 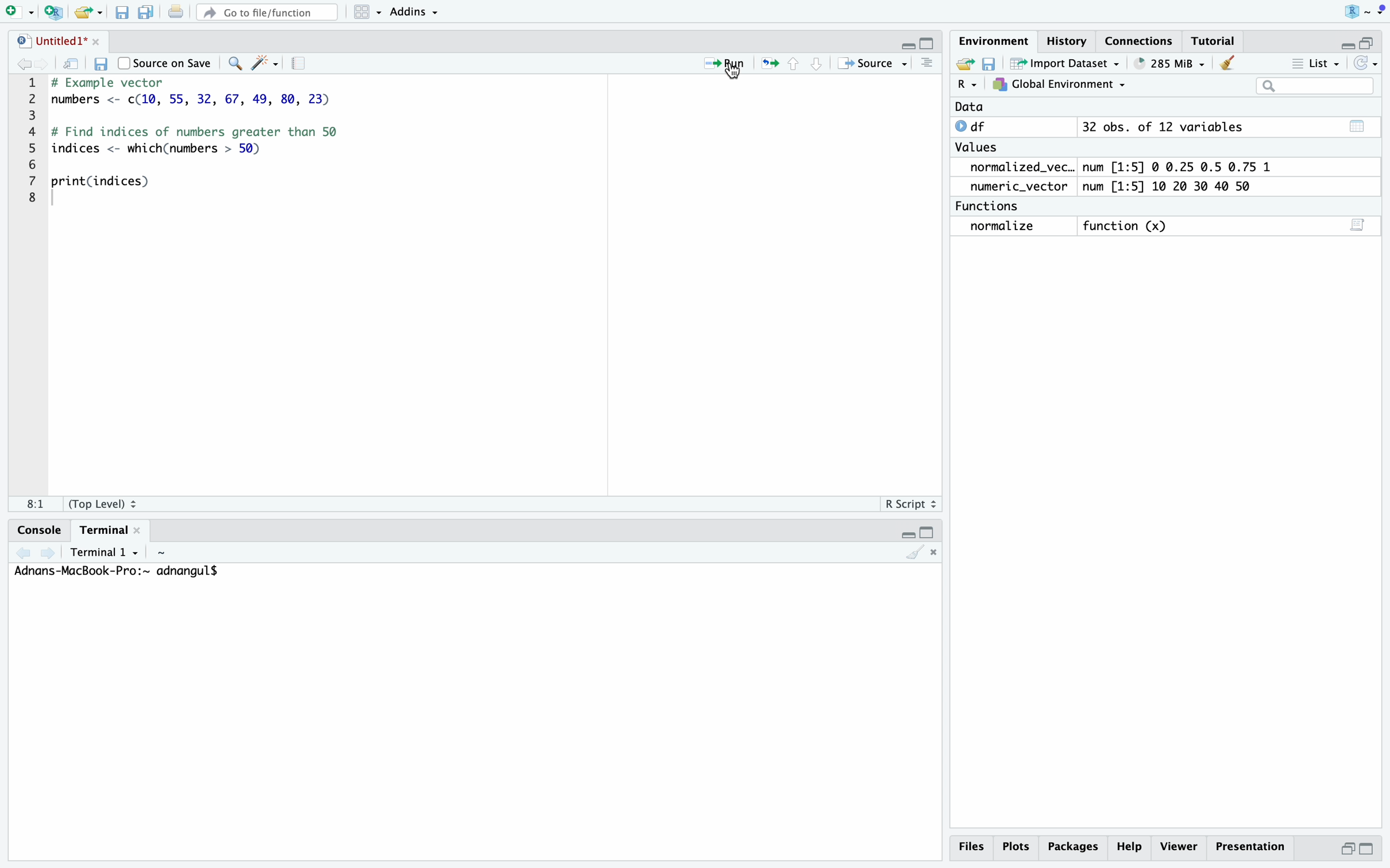 What do you see at coordinates (75, 552) in the screenshot?
I see `TERIMAL 1` at bounding box center [75, 552].